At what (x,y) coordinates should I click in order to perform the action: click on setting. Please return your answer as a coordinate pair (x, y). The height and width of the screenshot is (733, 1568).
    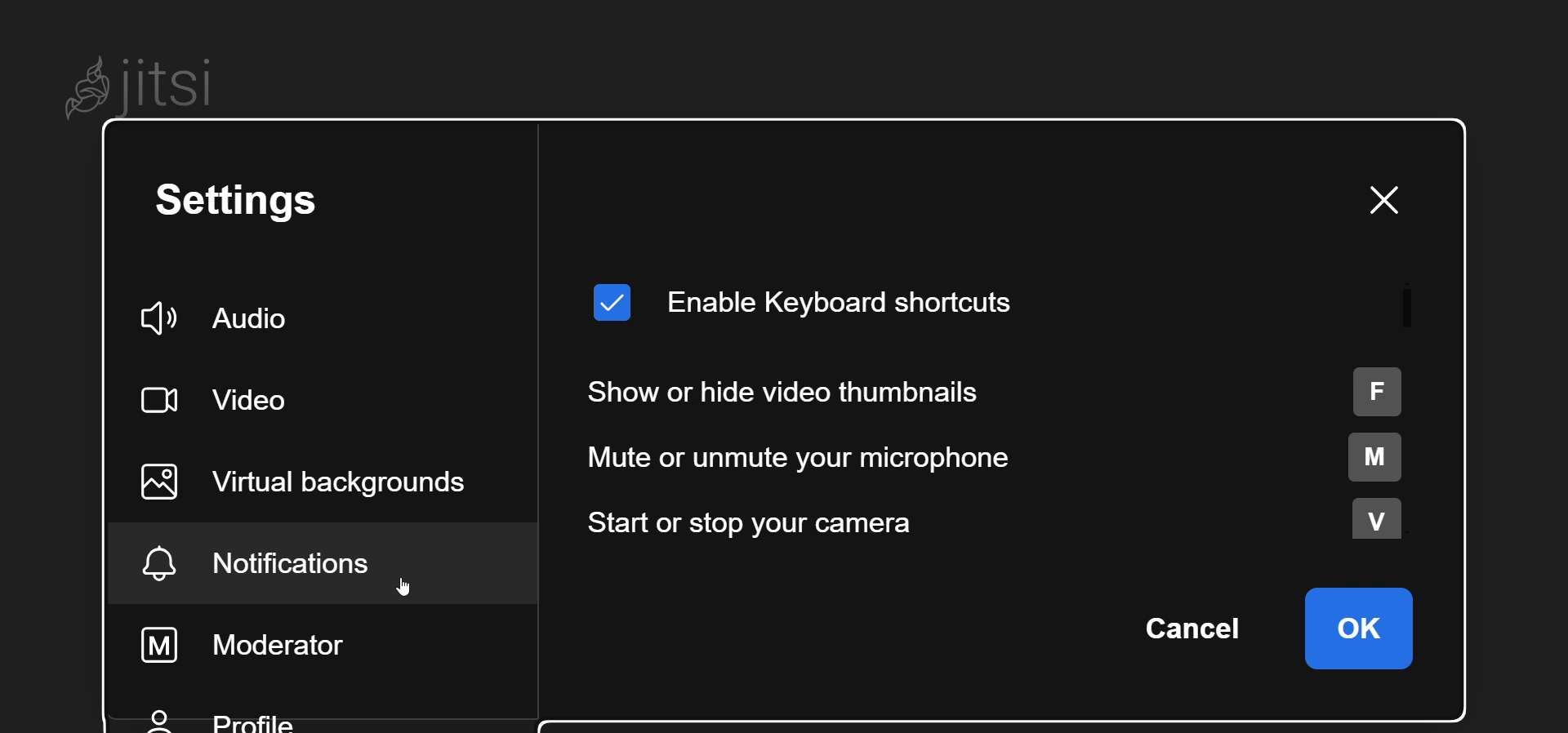
    Looking at the image, I should click on (261, 203).